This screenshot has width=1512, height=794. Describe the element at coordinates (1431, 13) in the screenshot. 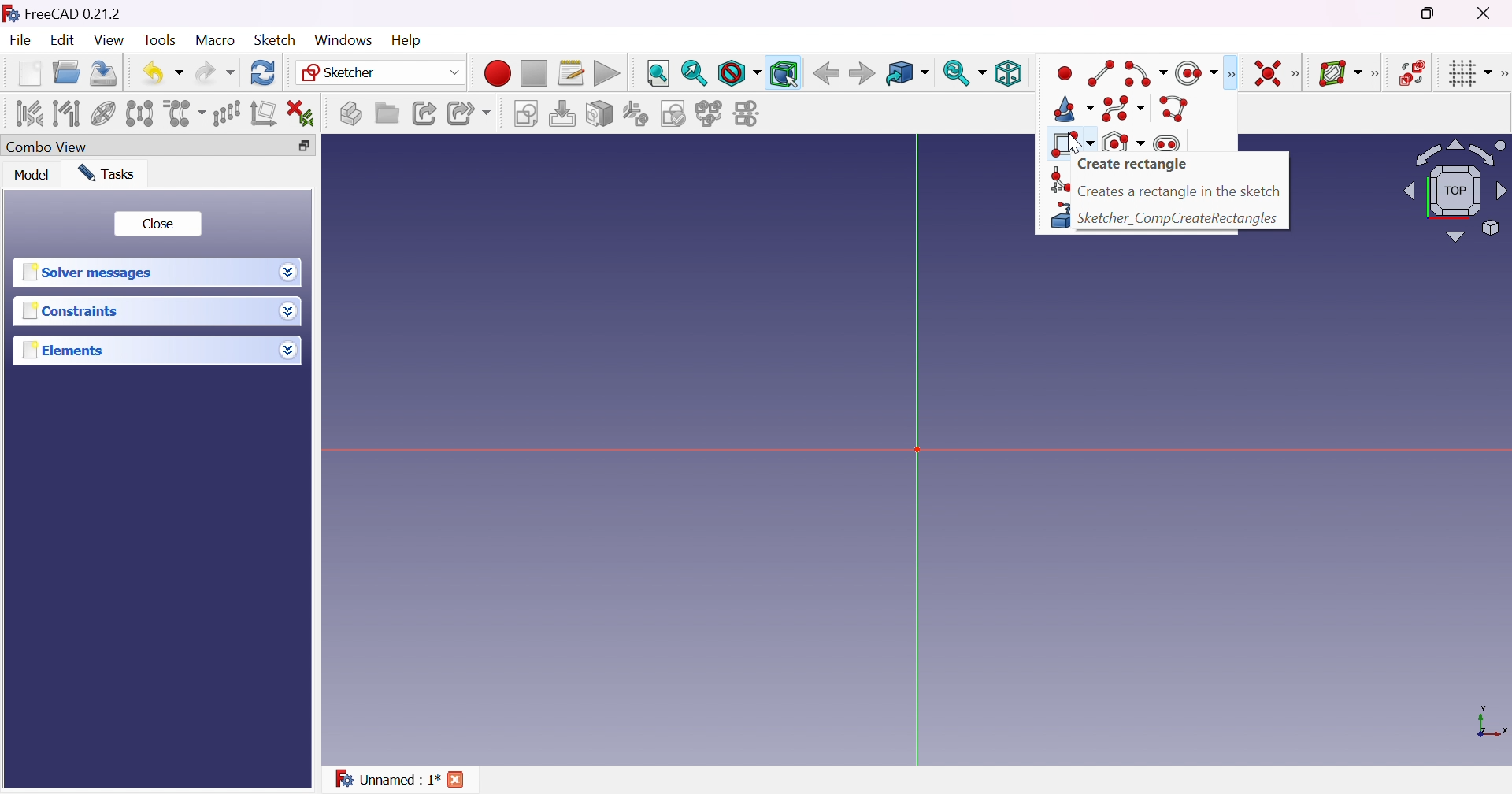

I see `Restore down` at that location.